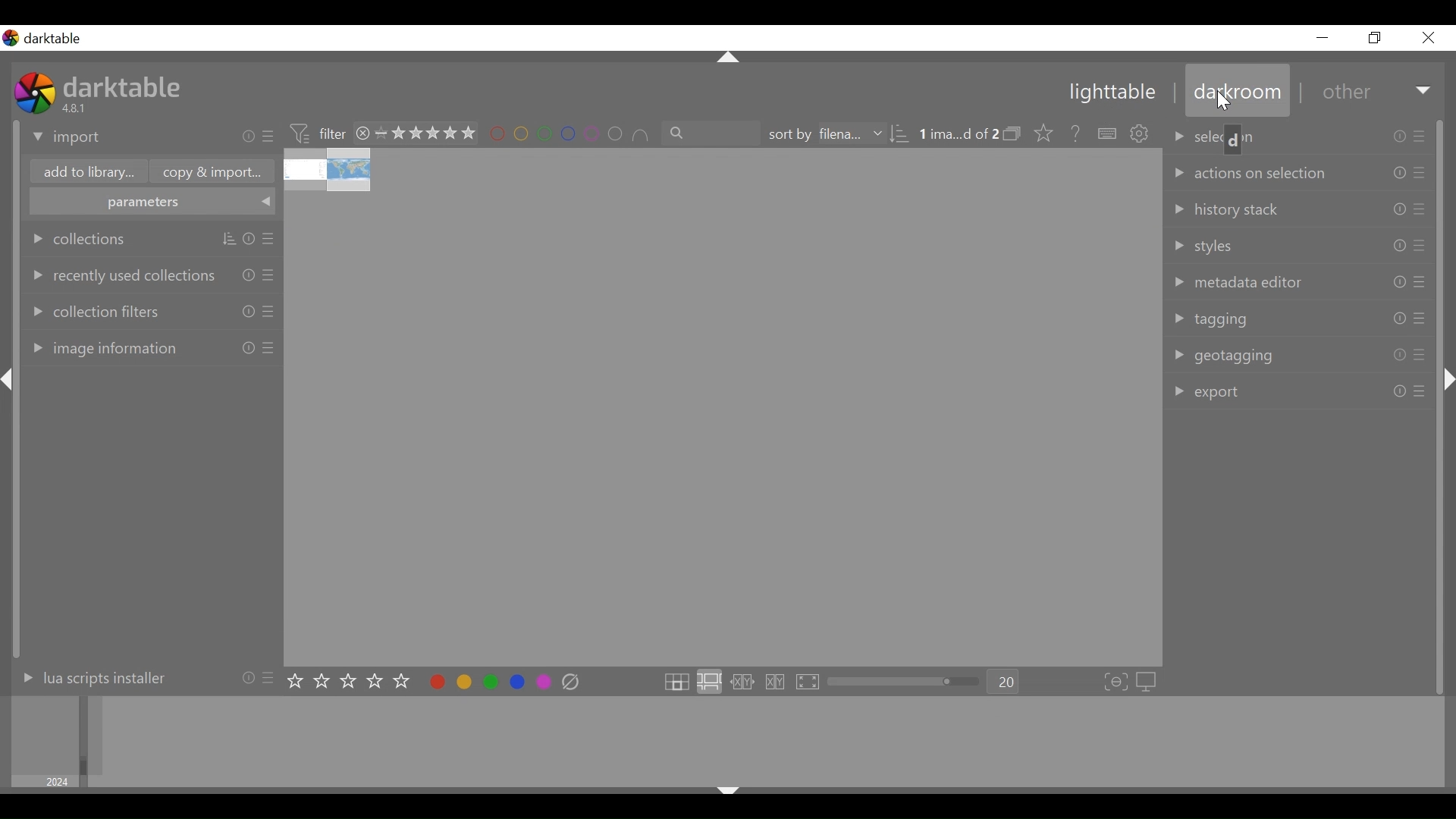  Describe the element at coordinates (838, 135) in the screenshot. I see `sort by` at that location.